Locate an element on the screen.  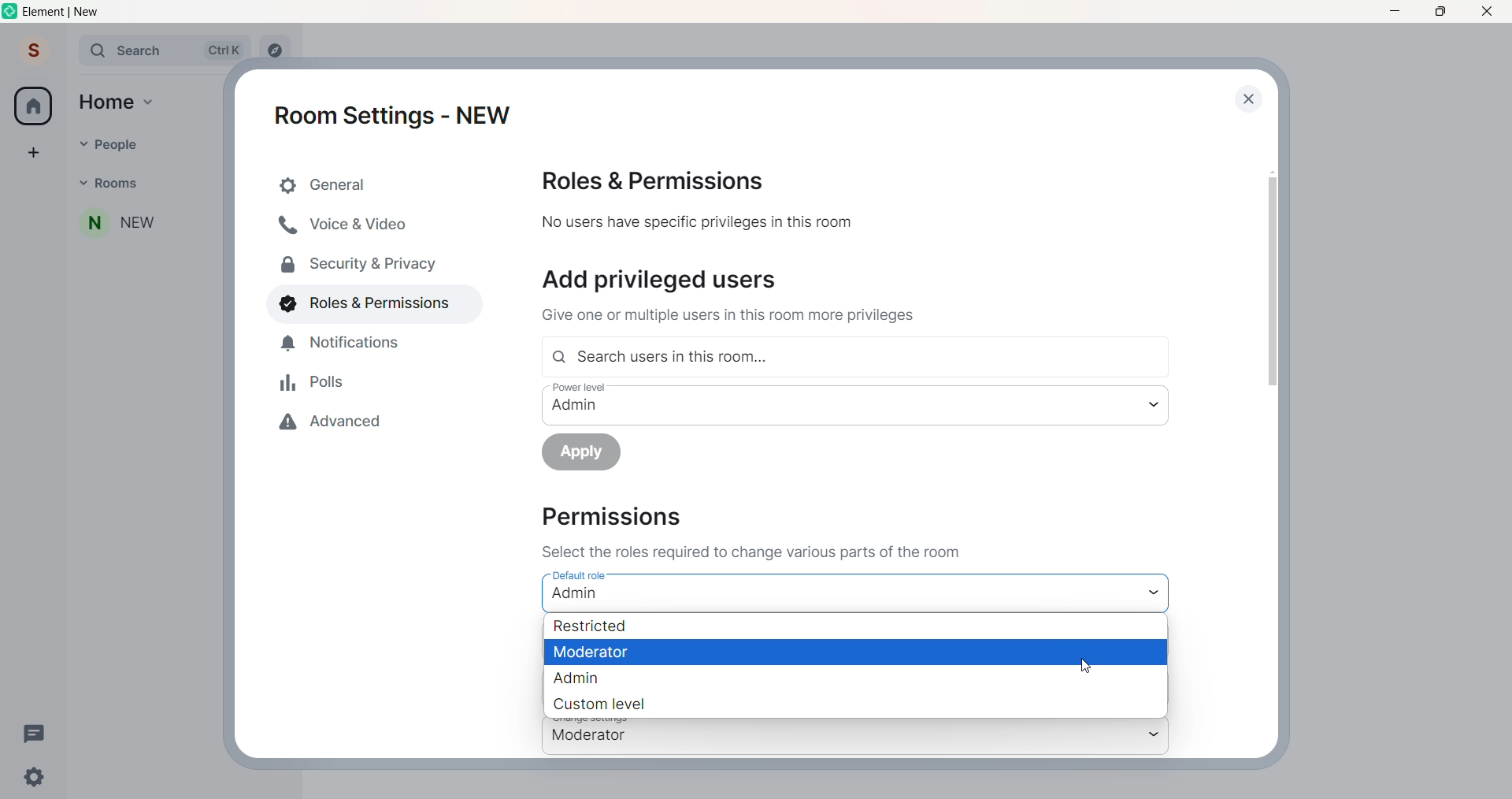
threads is located at coordinates (39, 736).